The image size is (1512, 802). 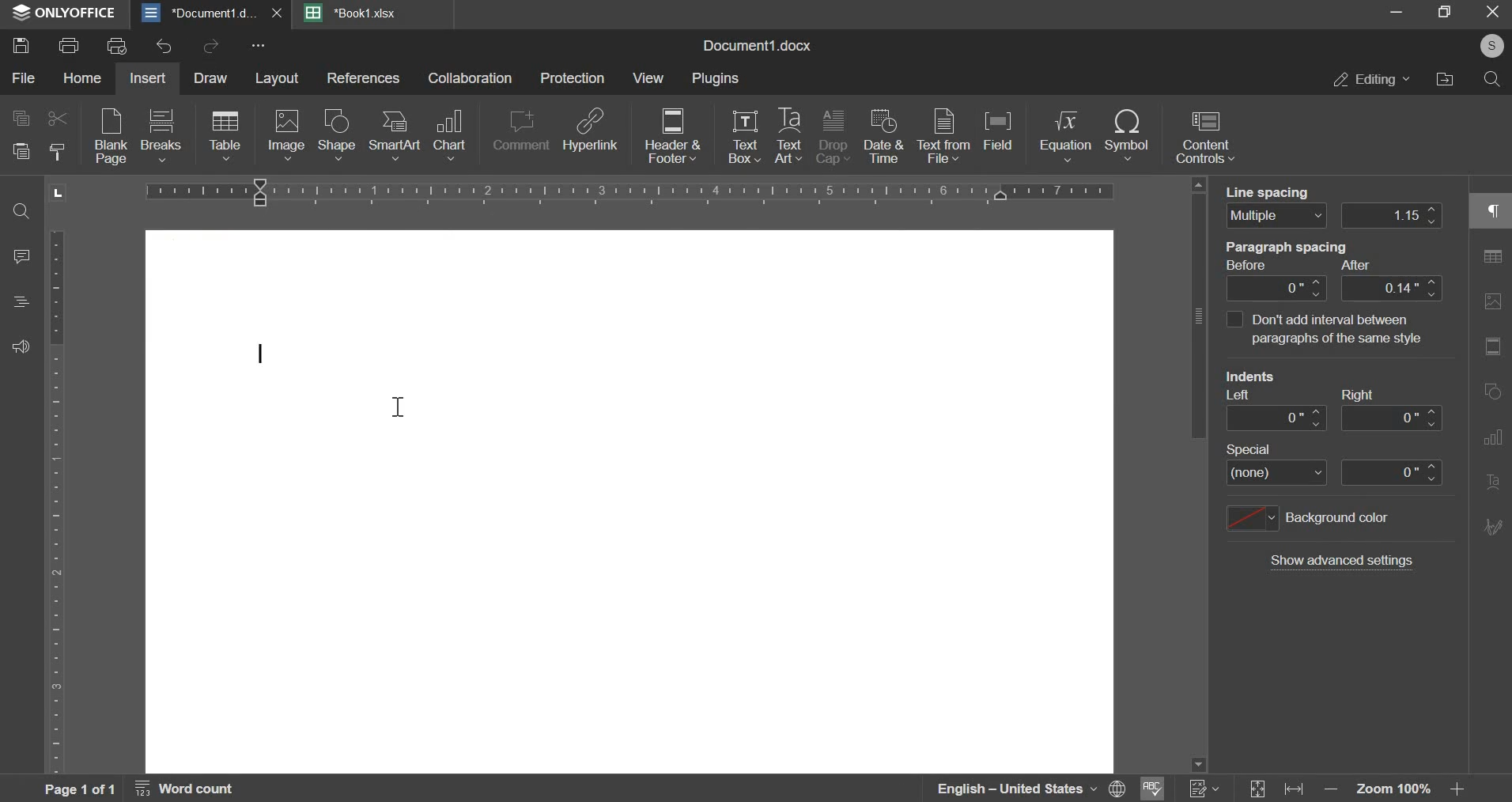 I want to click on paragraph spacing before, so click(x=1276, y=288).